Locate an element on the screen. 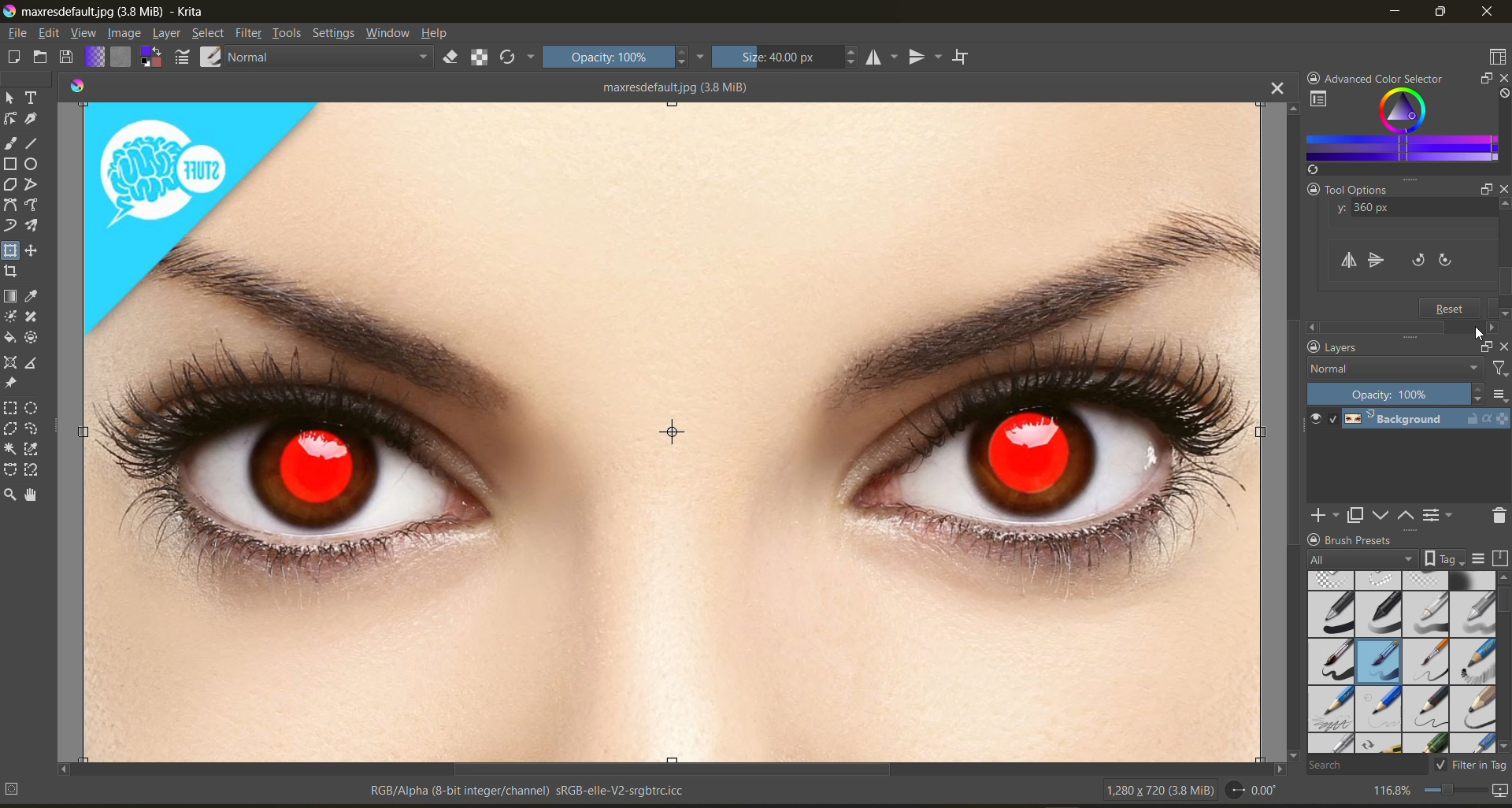  tool is located at coordinates (33, 297).